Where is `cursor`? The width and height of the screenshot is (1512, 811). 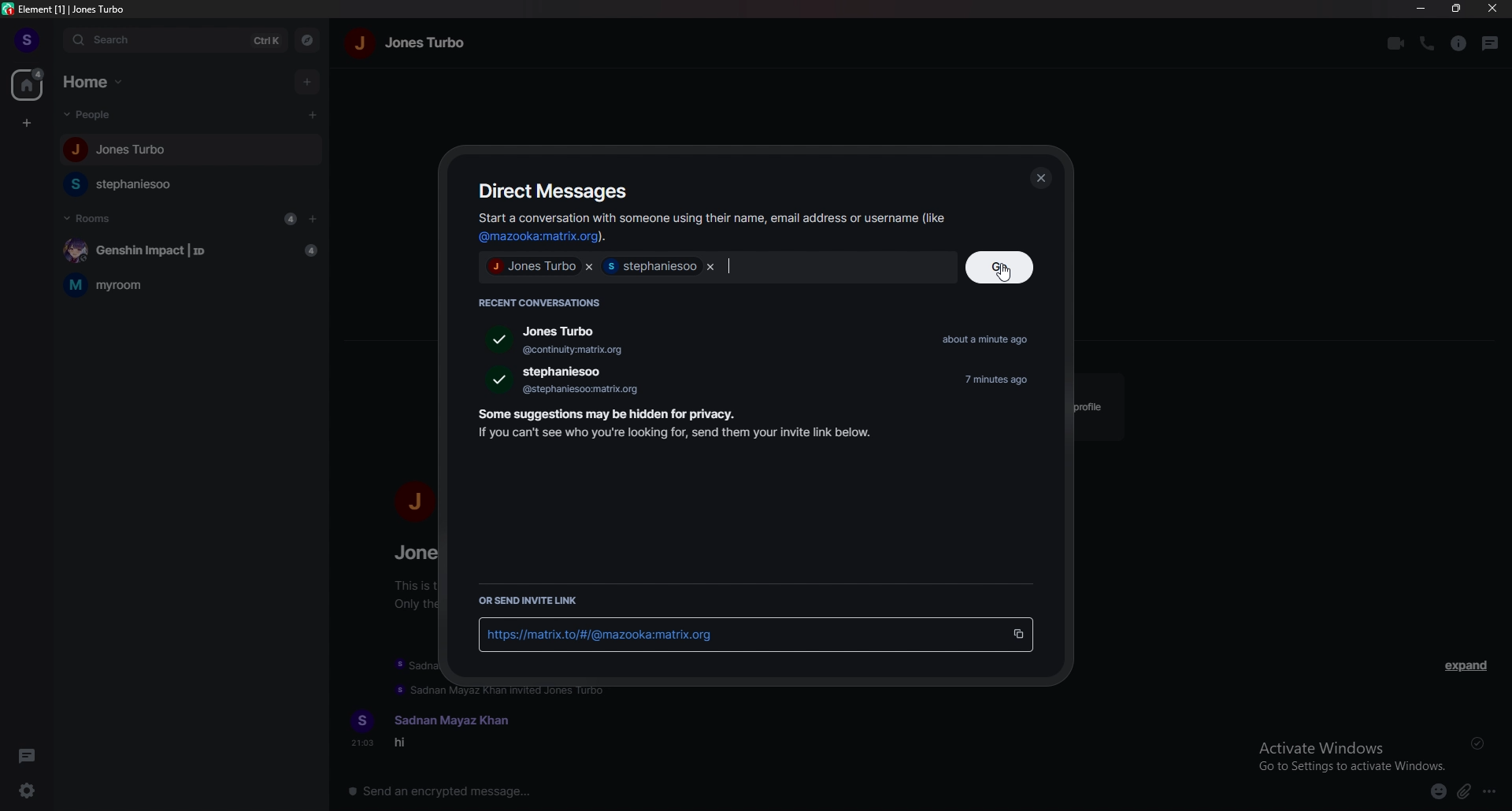 cursor is located at coordinates (310, 115).